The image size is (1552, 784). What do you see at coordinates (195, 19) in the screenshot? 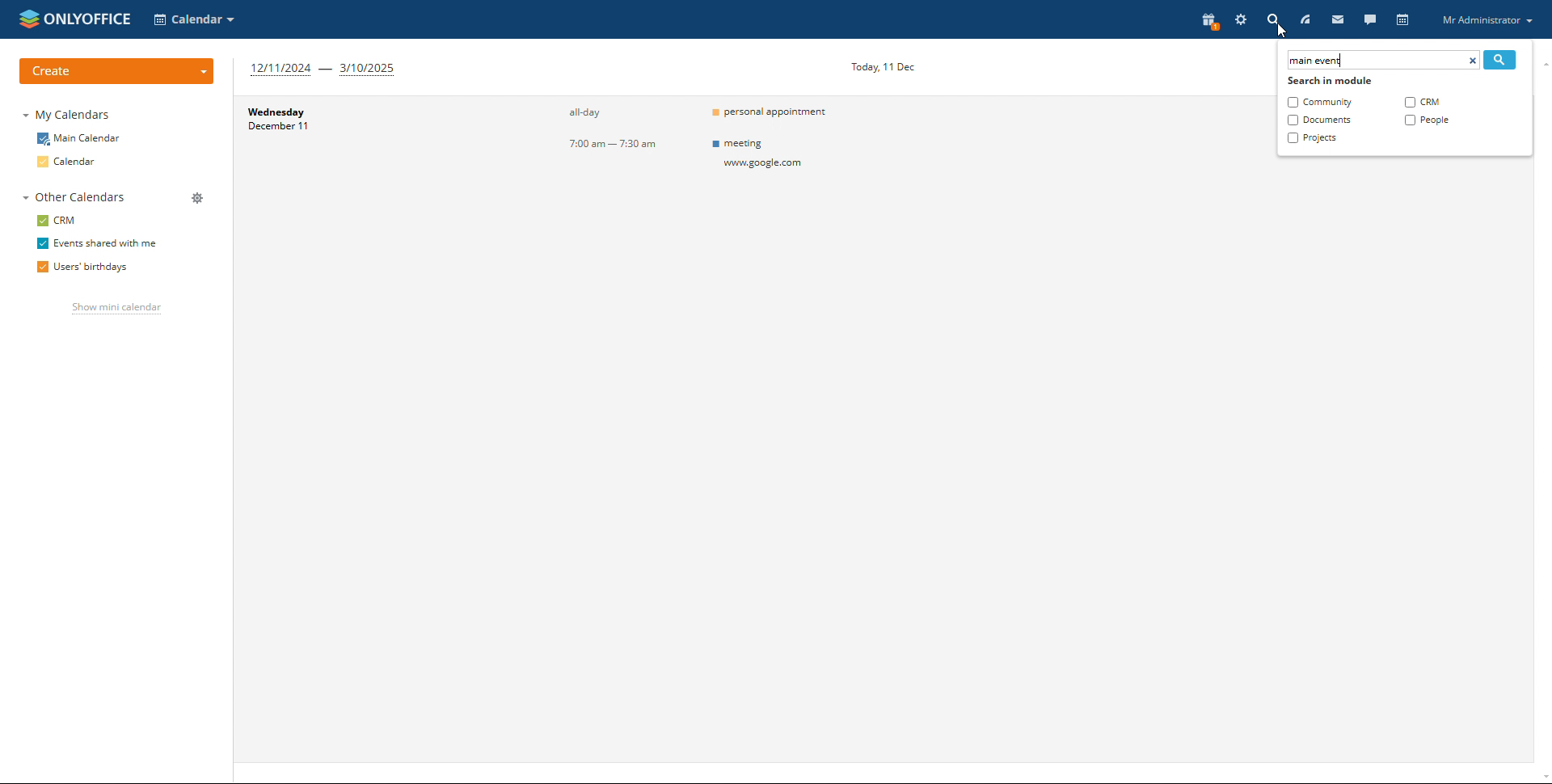
I see `select application` at bounding box center [195, 19].